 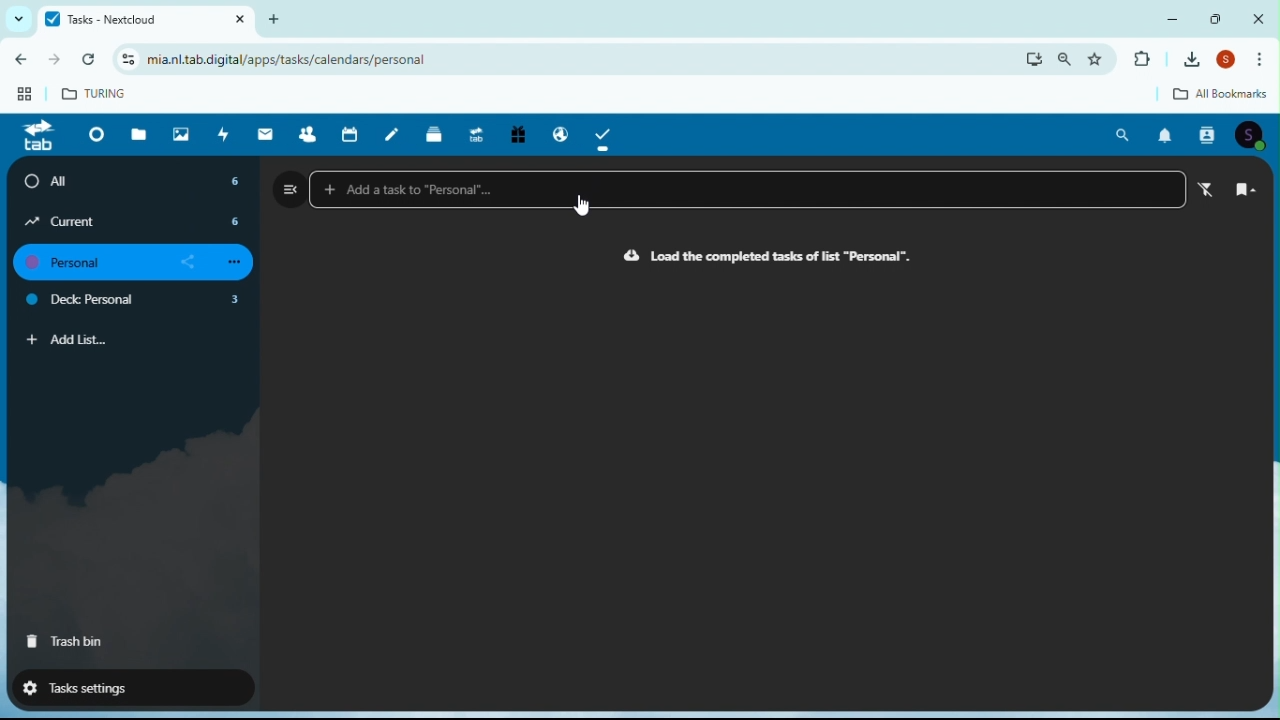 I want to click on turing, so click(x=103, y=96).